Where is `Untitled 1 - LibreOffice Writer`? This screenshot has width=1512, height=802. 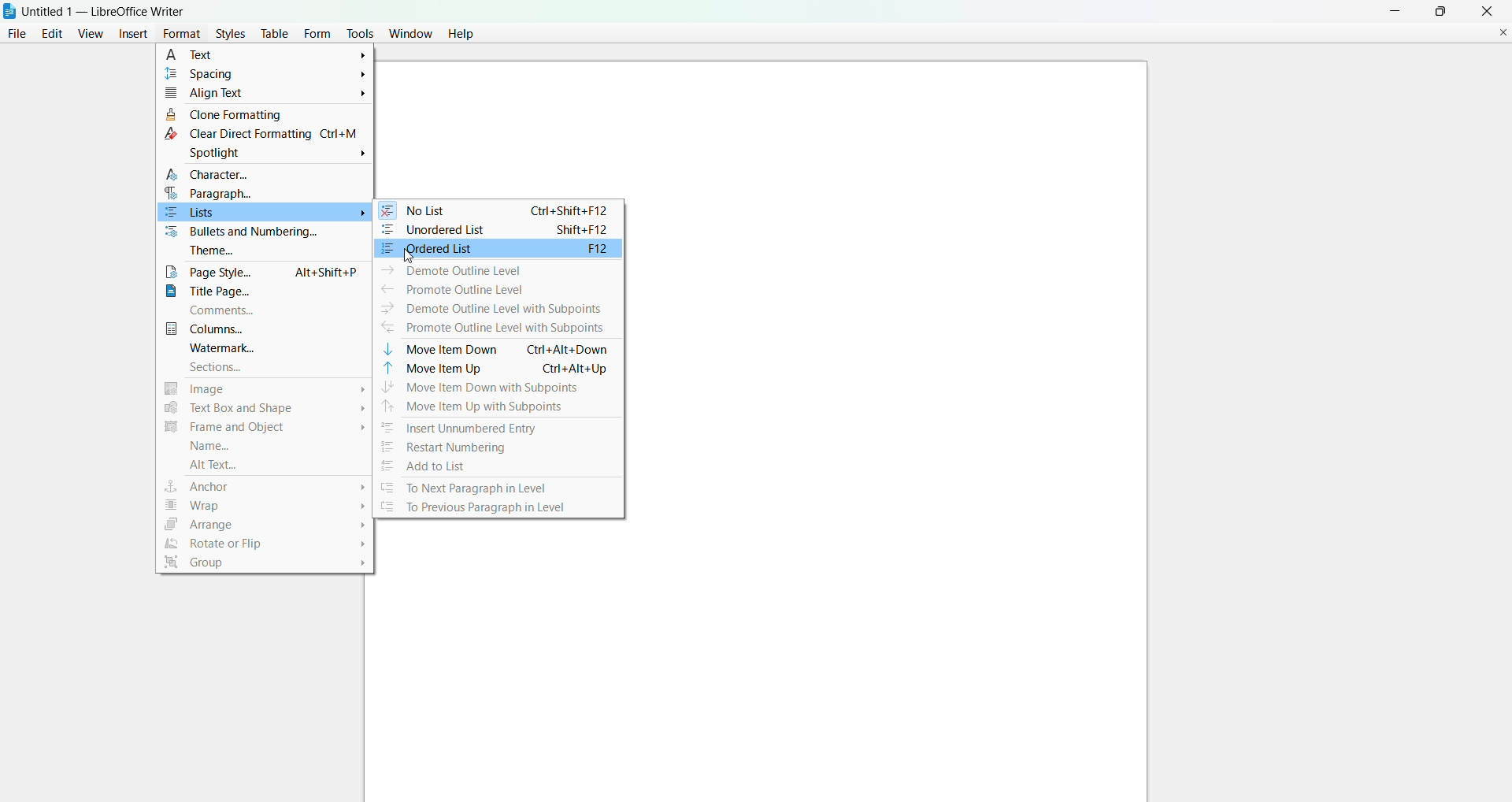
Untitled 1 - LibreOffice Writer is located at coordinates (108, 9).